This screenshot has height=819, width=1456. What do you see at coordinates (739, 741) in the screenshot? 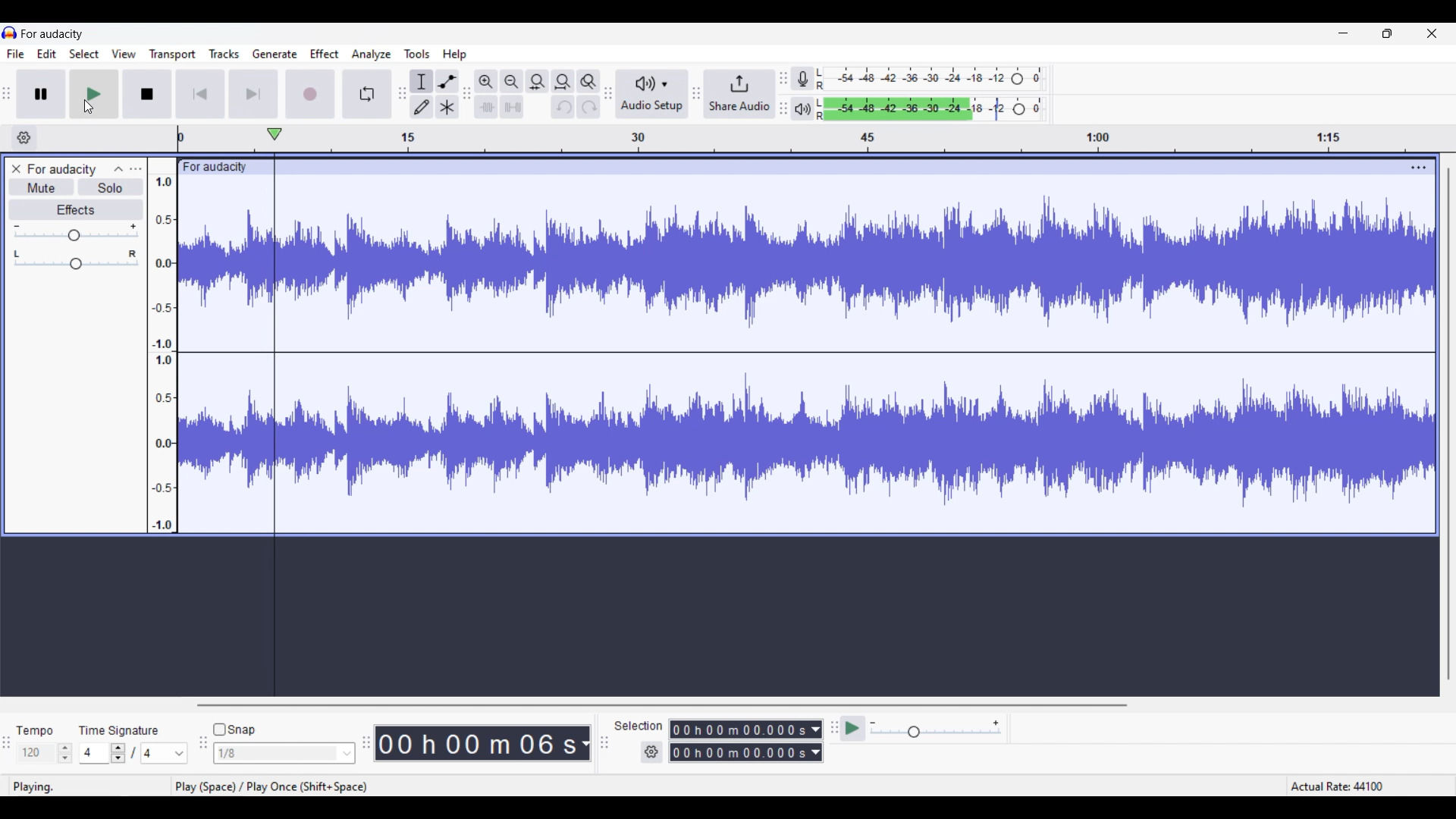
I see `Selection duration changed` at bounding box center [739, 741].